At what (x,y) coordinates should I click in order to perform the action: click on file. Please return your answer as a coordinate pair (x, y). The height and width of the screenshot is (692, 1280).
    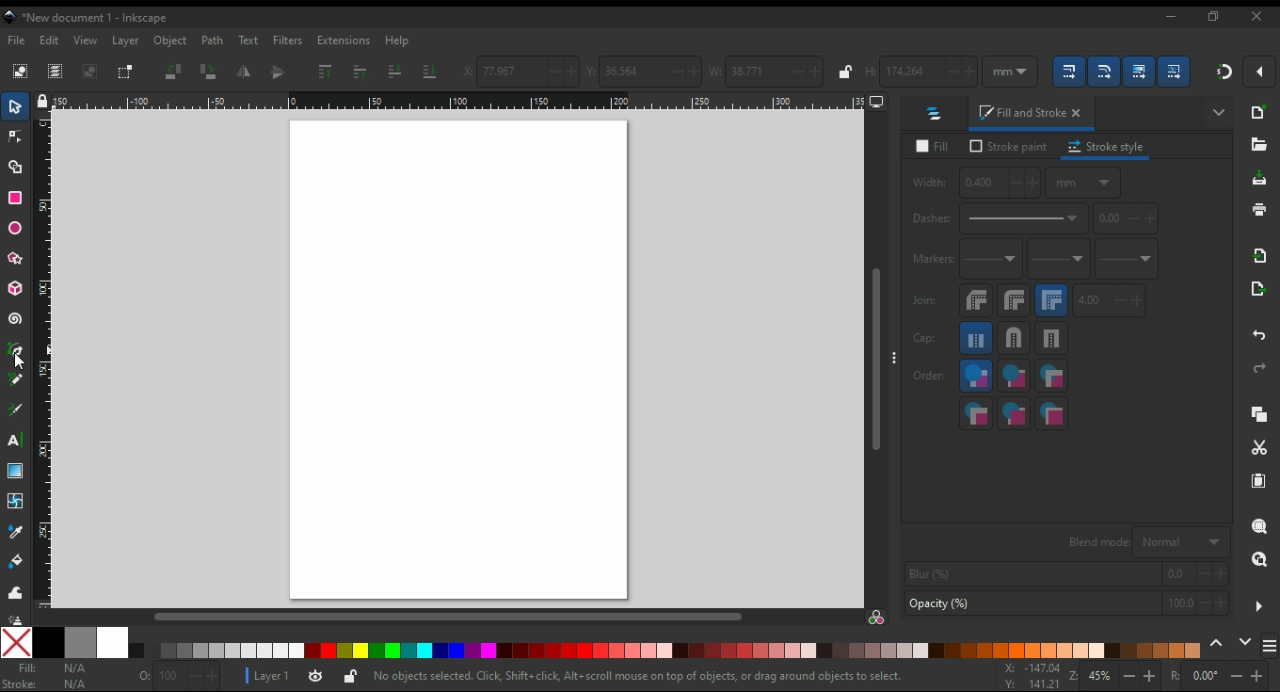
    Looking at the image, I should click on (18, 41).